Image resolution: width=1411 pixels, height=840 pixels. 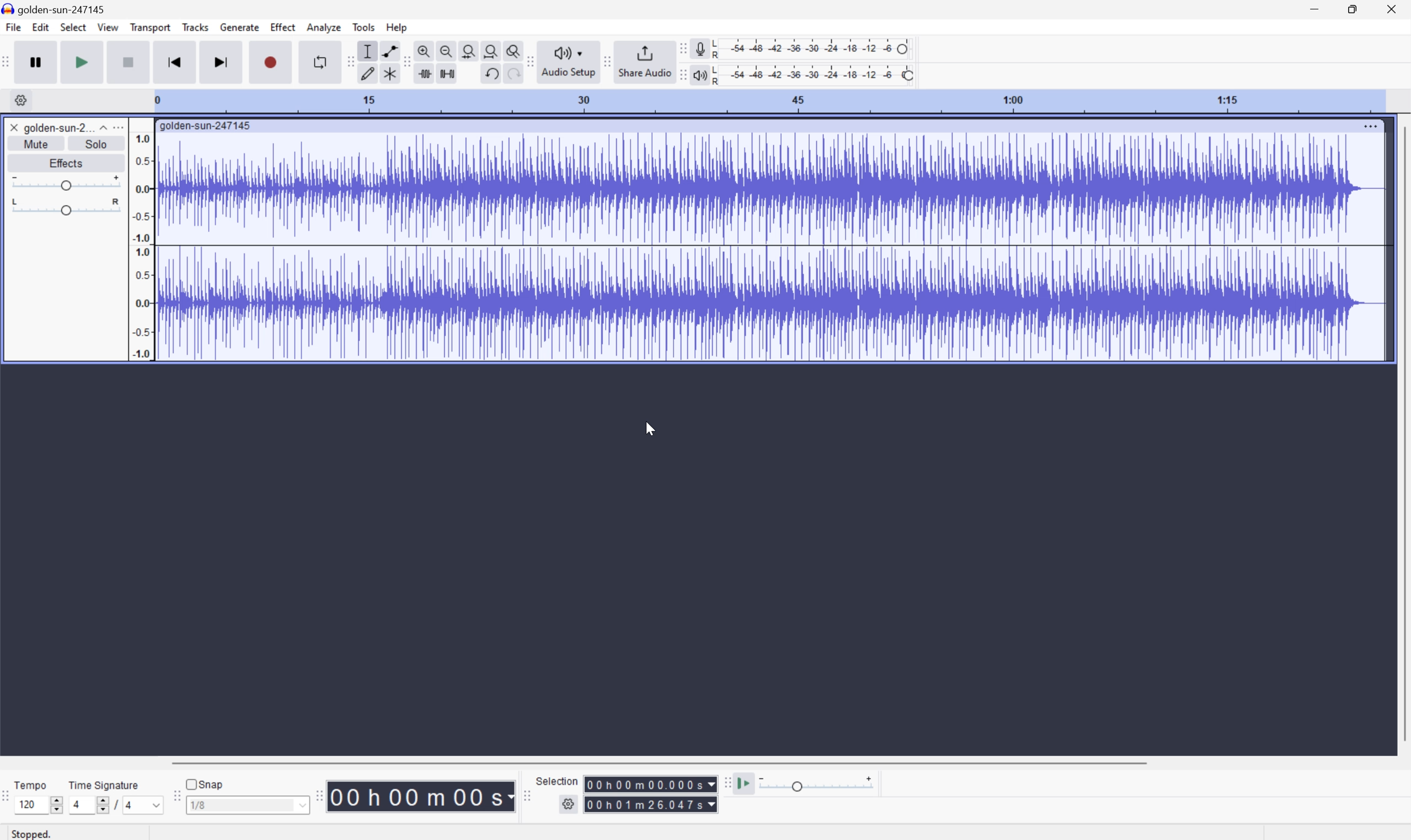 I want to click on Zoom in, so click(x=426, y=48).